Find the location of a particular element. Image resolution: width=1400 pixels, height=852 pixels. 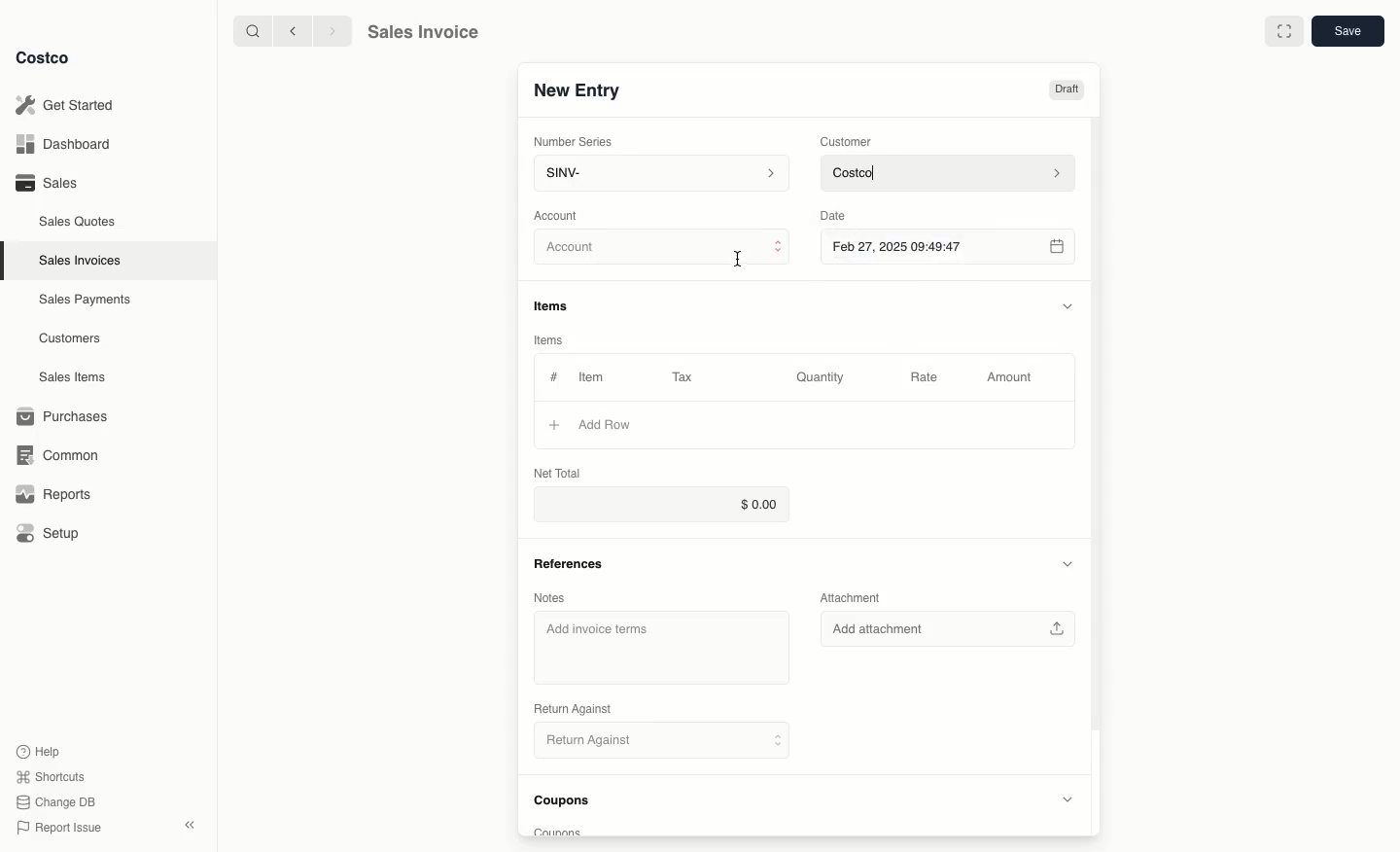

‘Add invoice terms is located at coordinates (601, 630).